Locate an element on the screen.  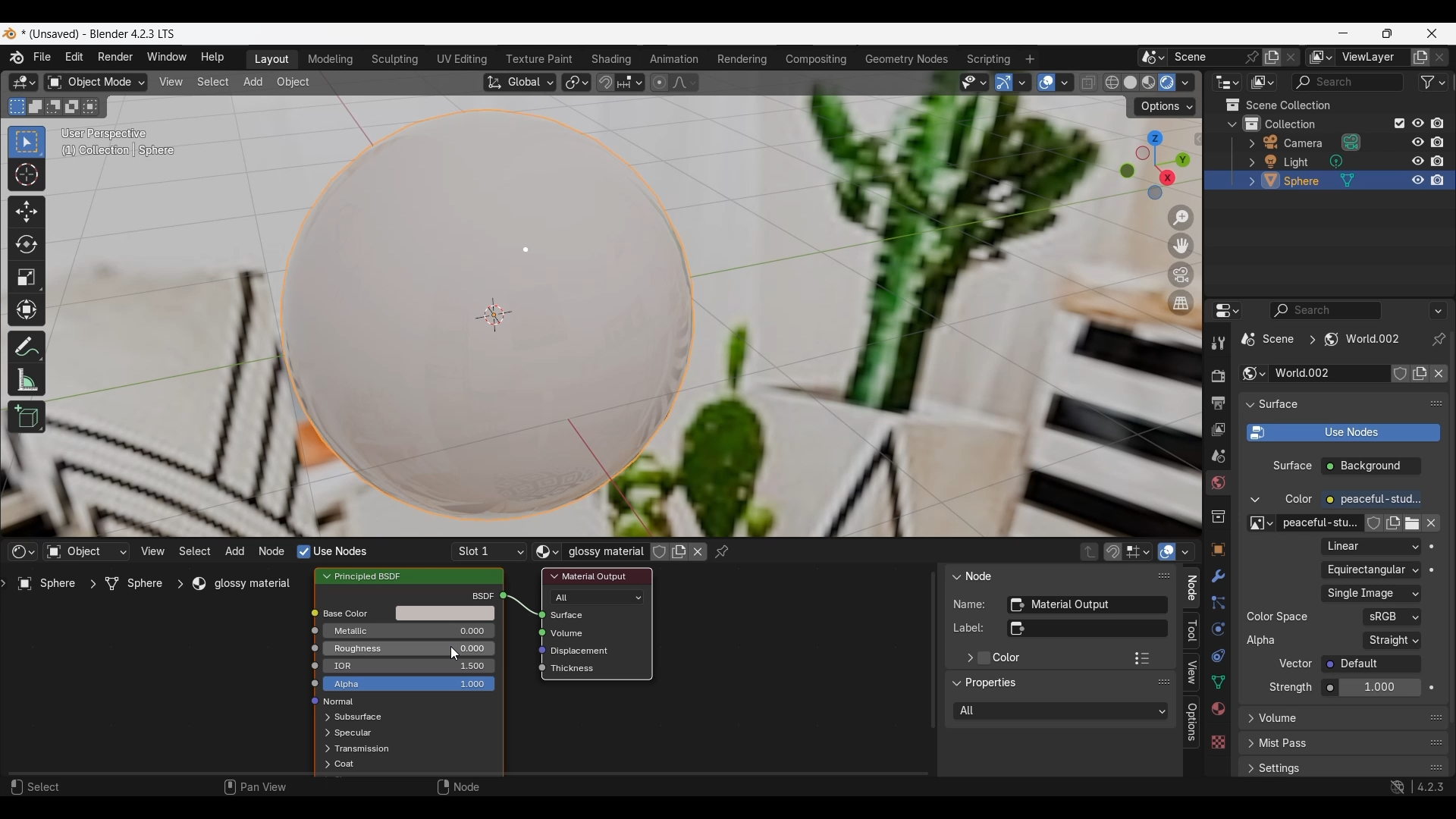
Modeling workspace is located at coordinates (331, 59).